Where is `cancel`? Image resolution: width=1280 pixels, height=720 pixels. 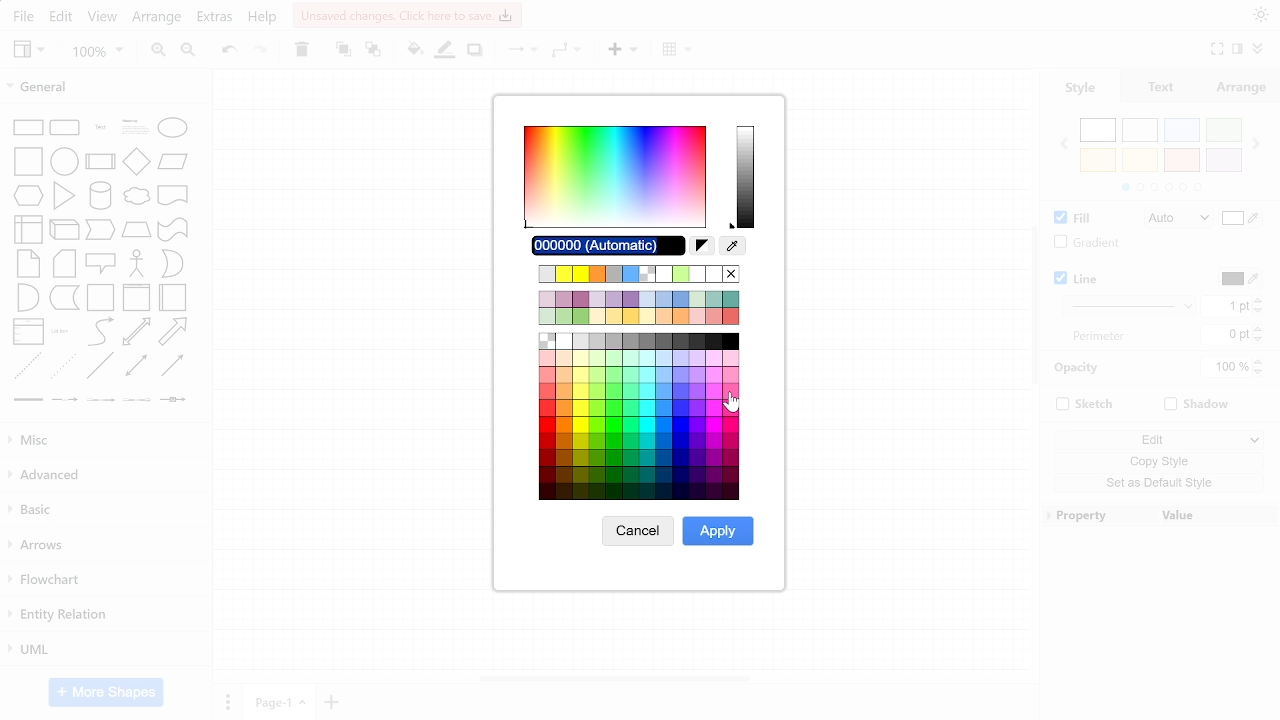 cancel is located at coordinates (638, 532).